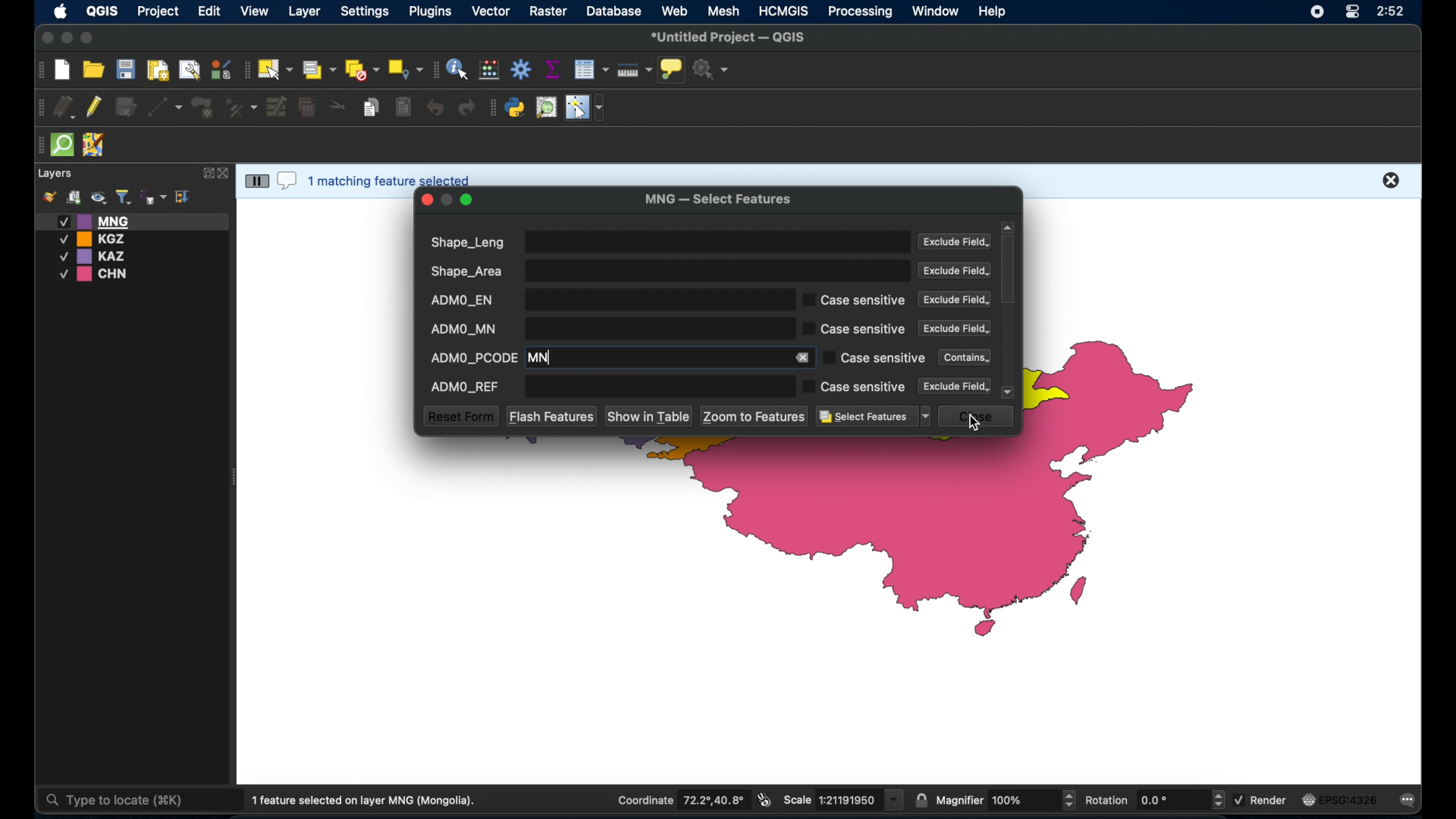 The height and width of the screenshot is (819, 1456). Describe the element at coordinates (245, 68) in the screenshot. I see `selection toolbar` at that location.